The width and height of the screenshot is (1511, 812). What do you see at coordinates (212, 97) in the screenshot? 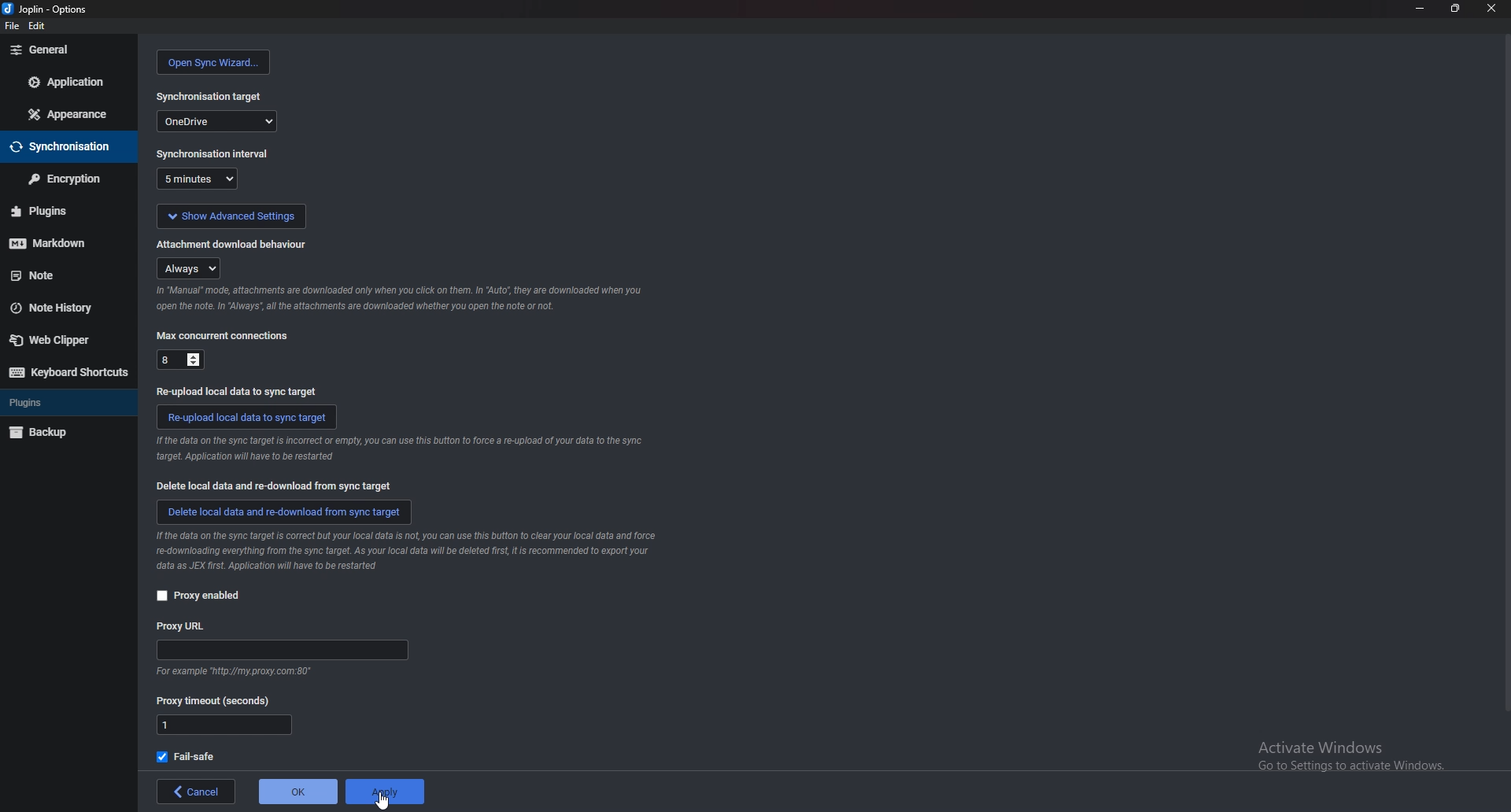
I see `sync target` at bounding box center [212, 97].